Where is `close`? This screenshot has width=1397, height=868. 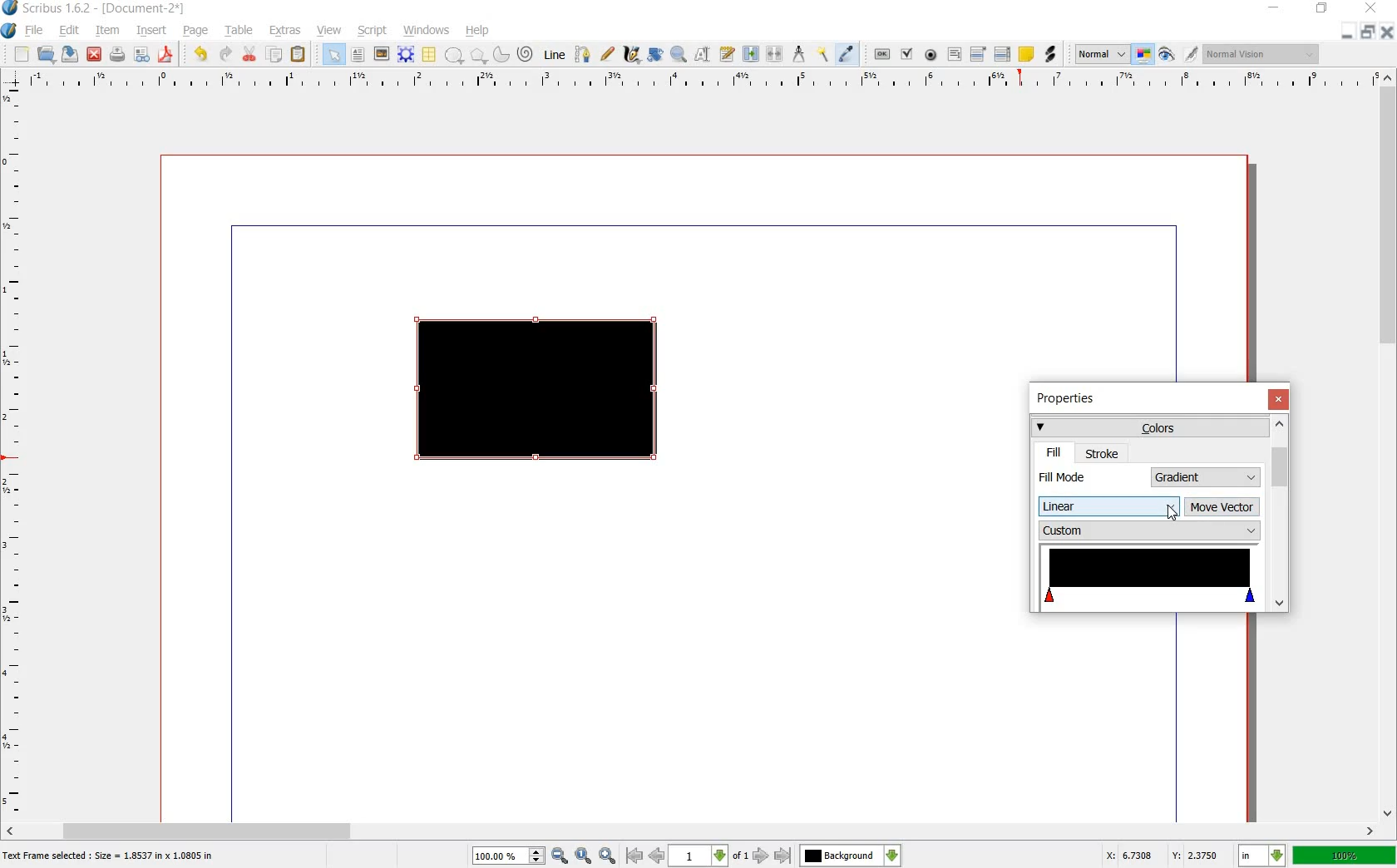 close is located at coordinates (1385, 32).